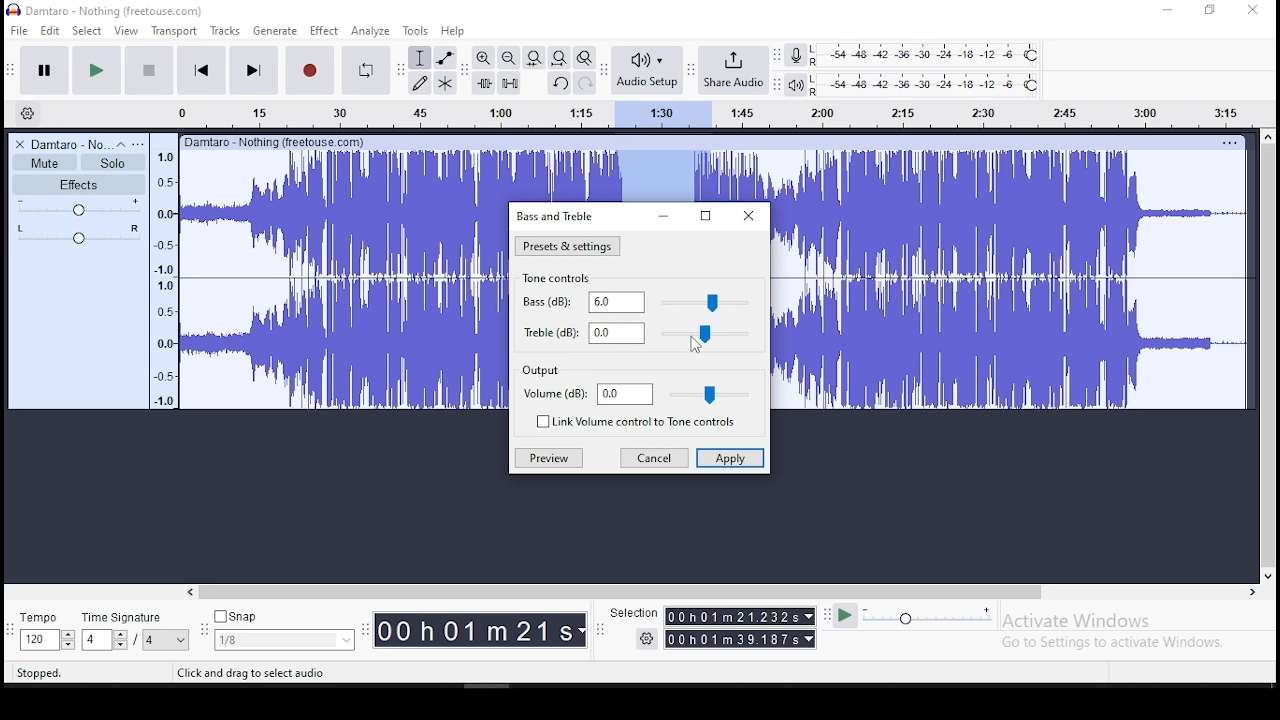 Image resolution: width=1280 pixels, height=720 pixels. I want to click on solo, so click(113, 163).